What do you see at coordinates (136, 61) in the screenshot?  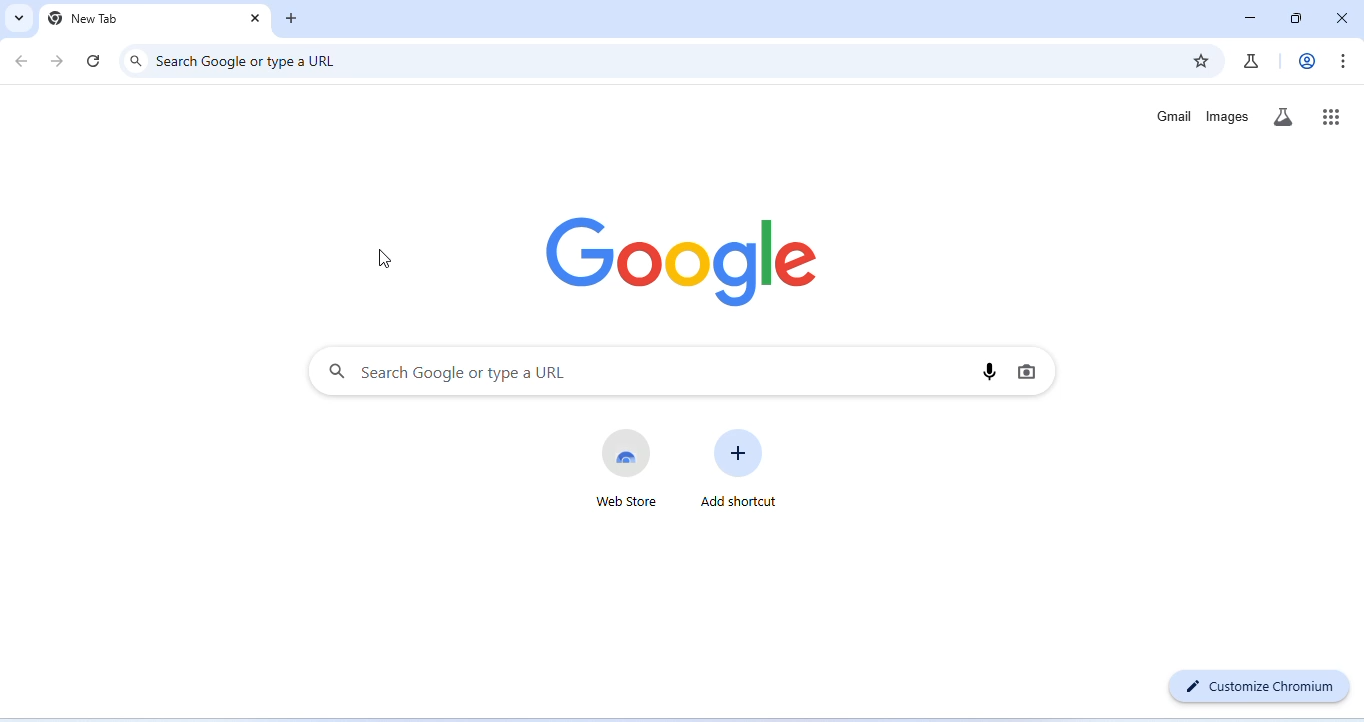 I see `search icon` at bounding box center [136, 61].